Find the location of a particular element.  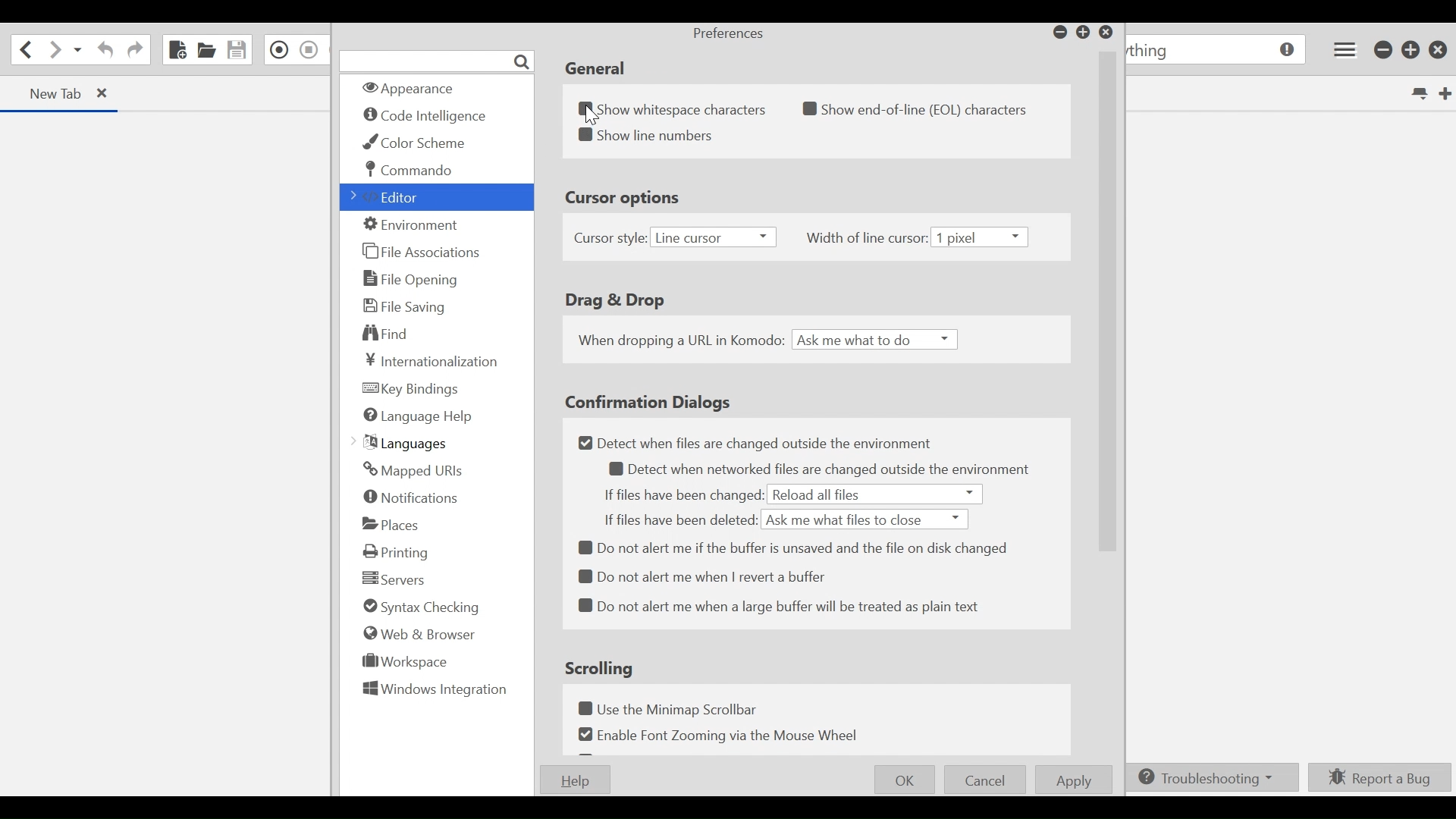

Commando is located at coordinates (409, 171).